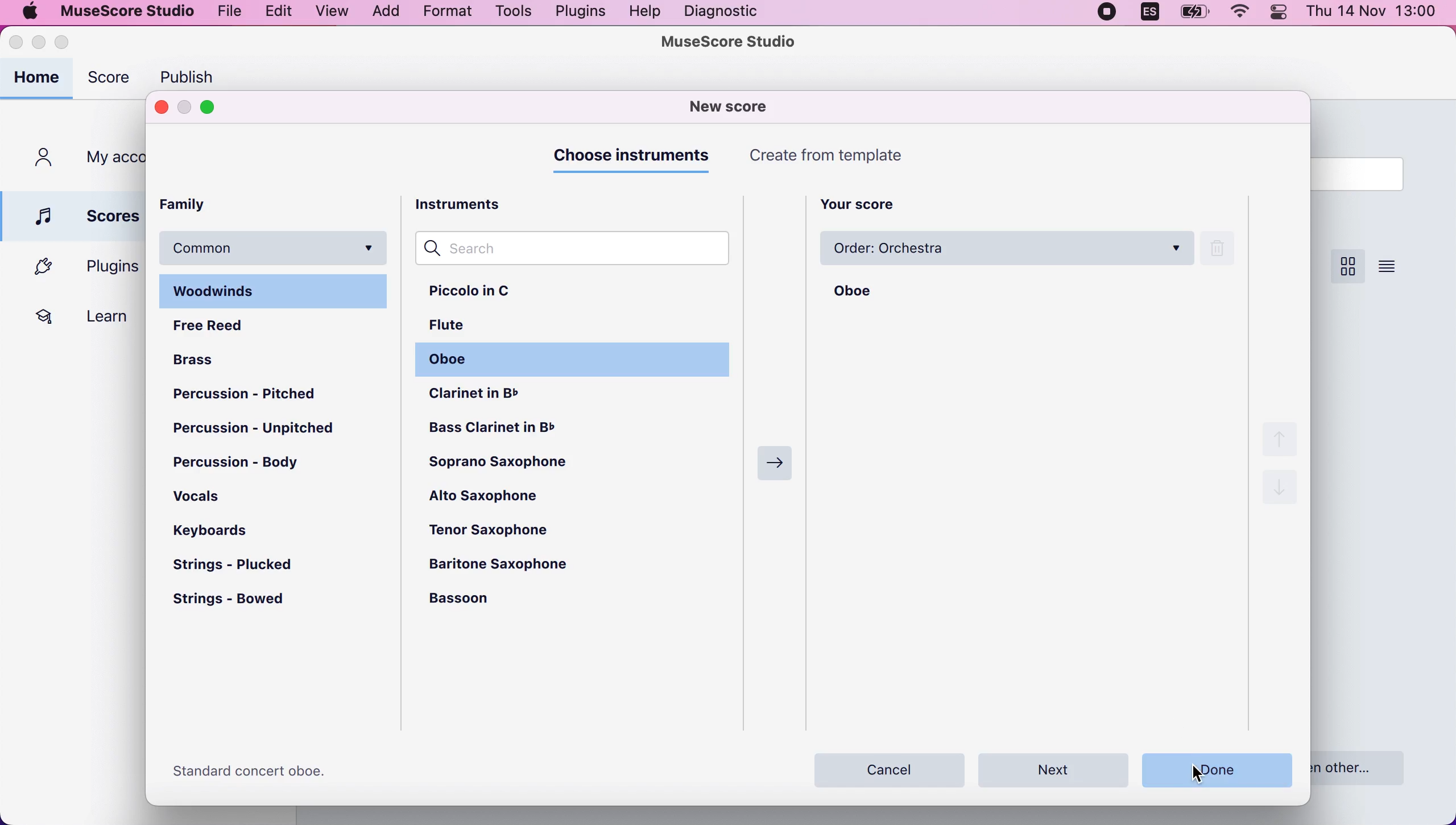 This screenshot has width=1456, height=825. I want to click on home, so click(39, 79).